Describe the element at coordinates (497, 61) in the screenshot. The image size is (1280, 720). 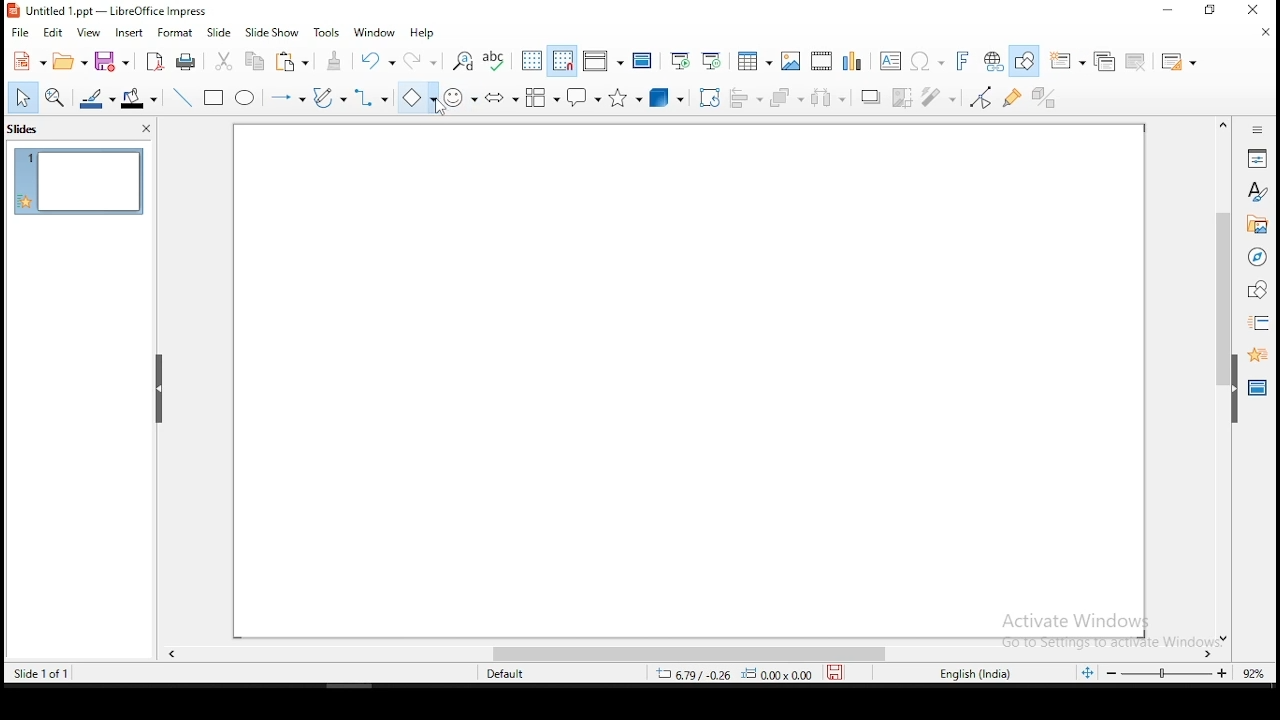
I see `spell check` at that location.